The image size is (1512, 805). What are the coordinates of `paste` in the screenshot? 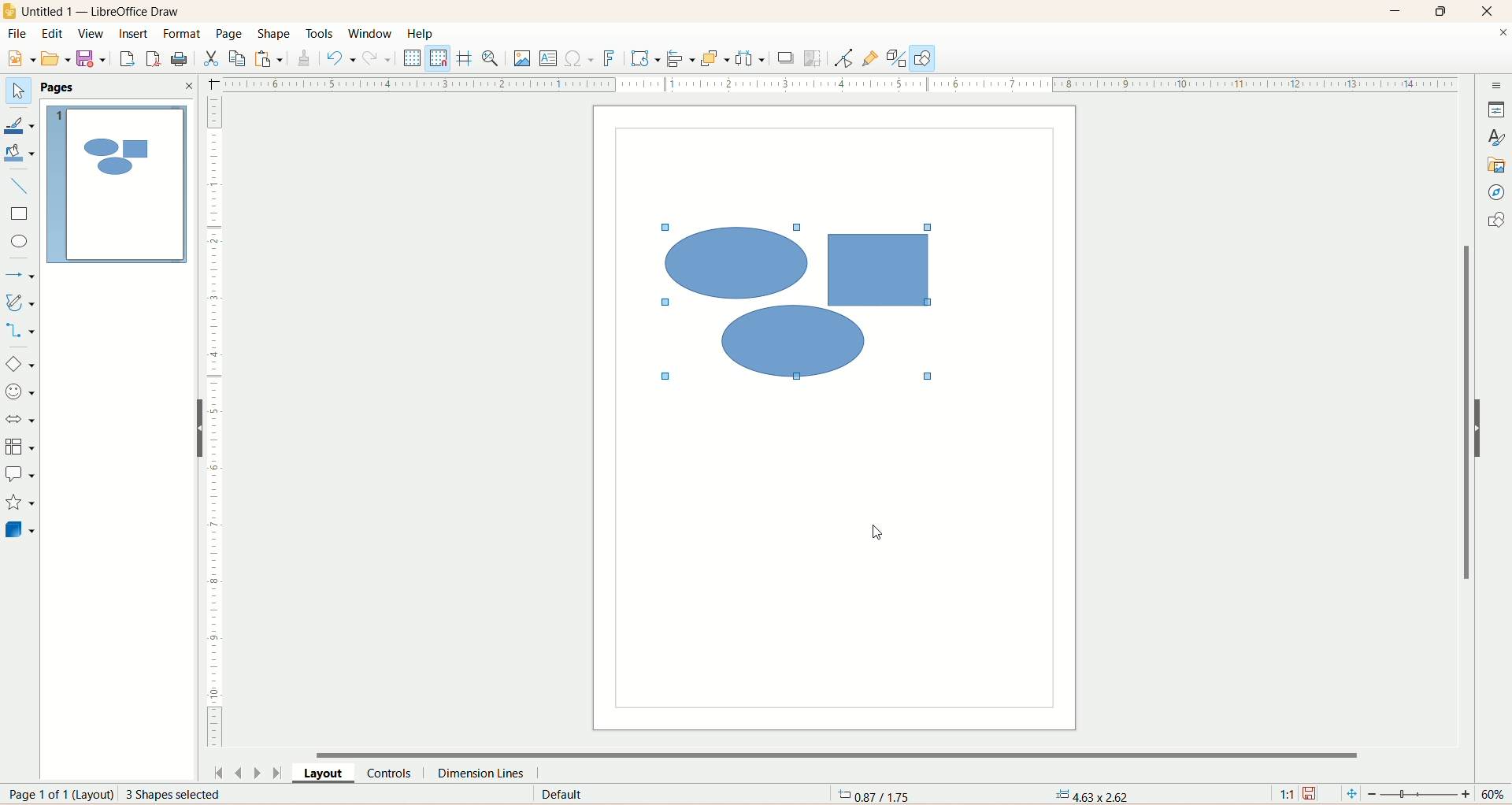 It's located at (268, 57).